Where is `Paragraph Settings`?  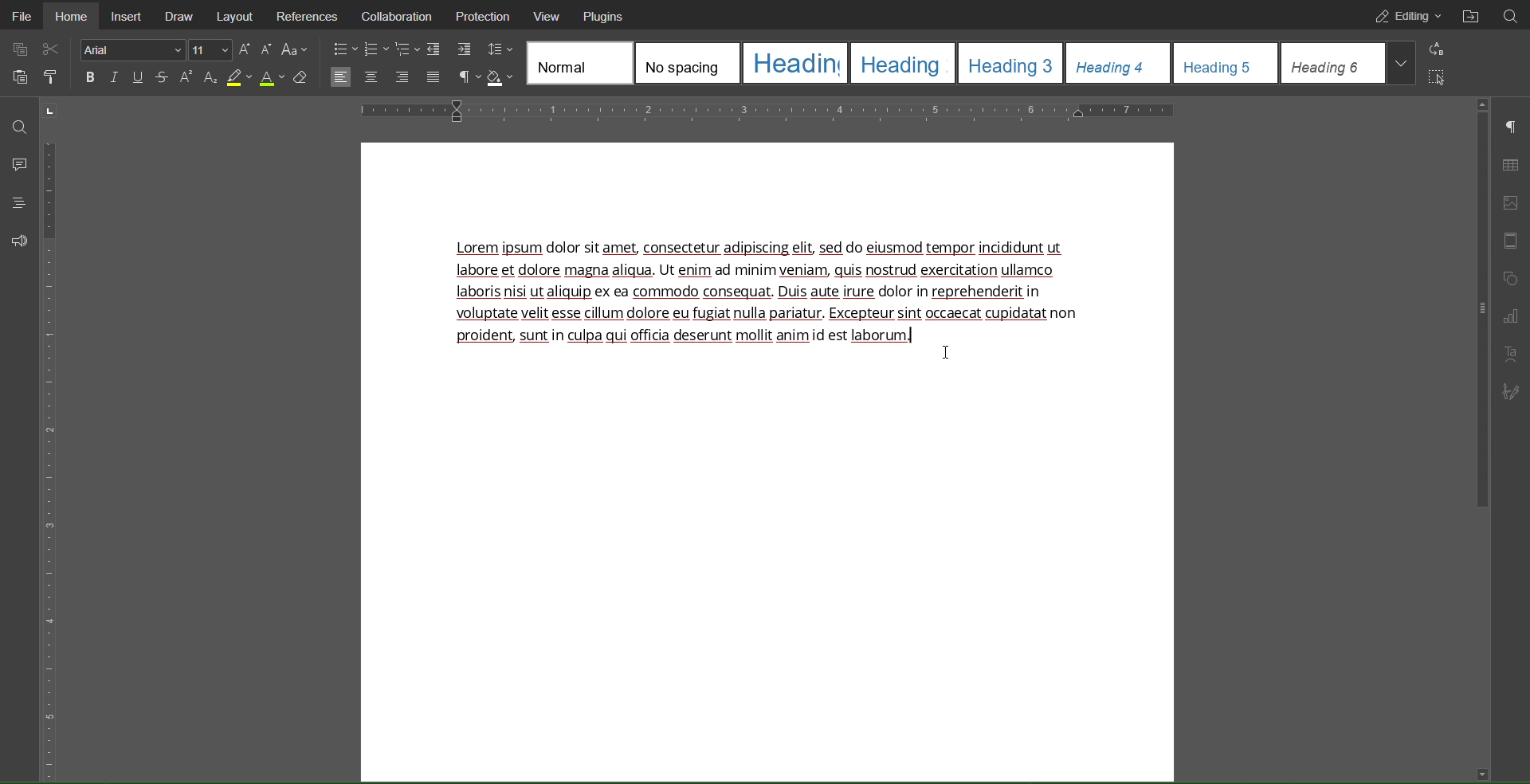
Paragraph Settings is located at coordinates (467, 77).